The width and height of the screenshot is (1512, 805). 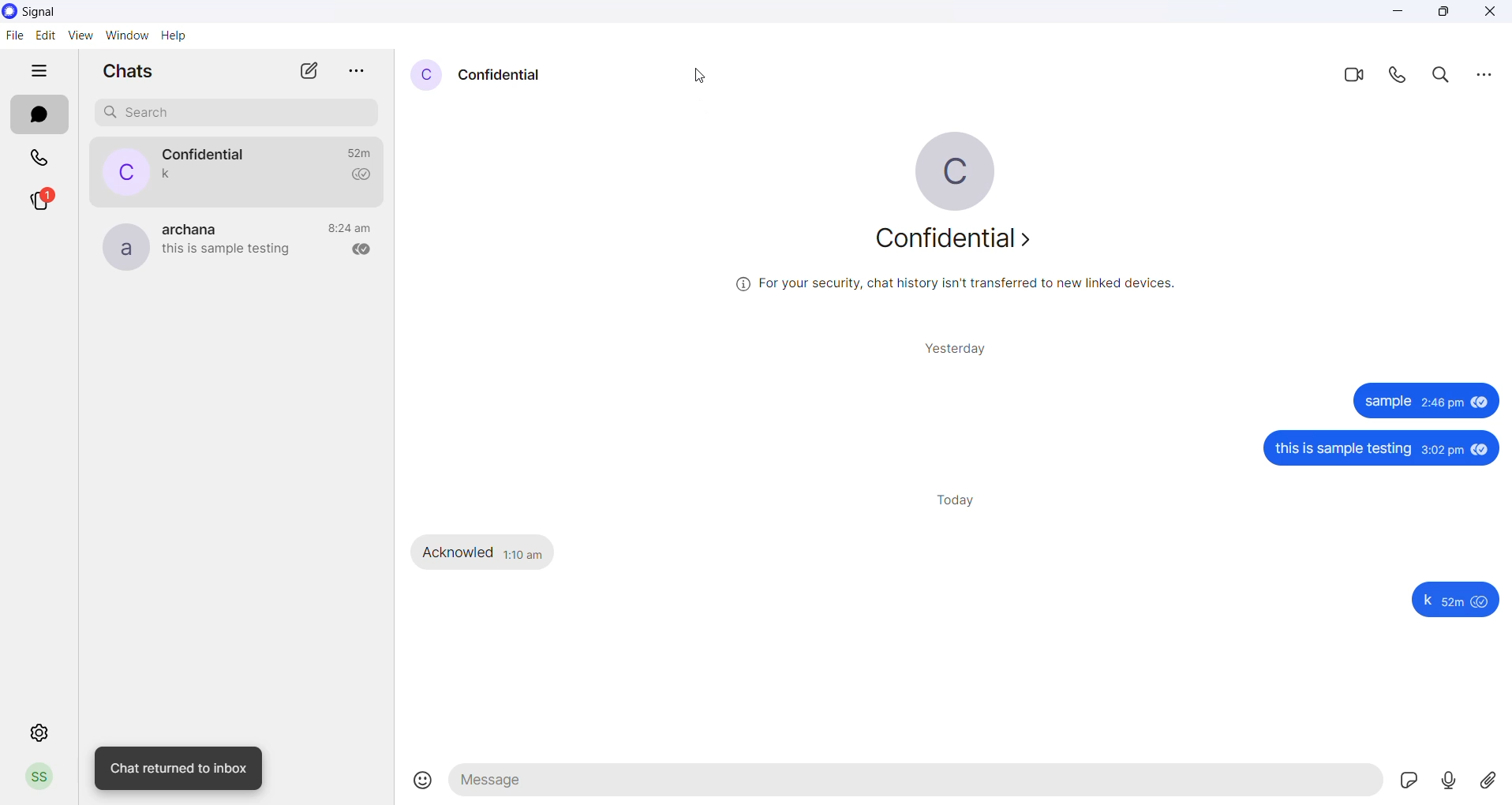 What do you see at coordinates (37, 72) in the screenshot?
I see `hide` at bounding box center [37, 72].